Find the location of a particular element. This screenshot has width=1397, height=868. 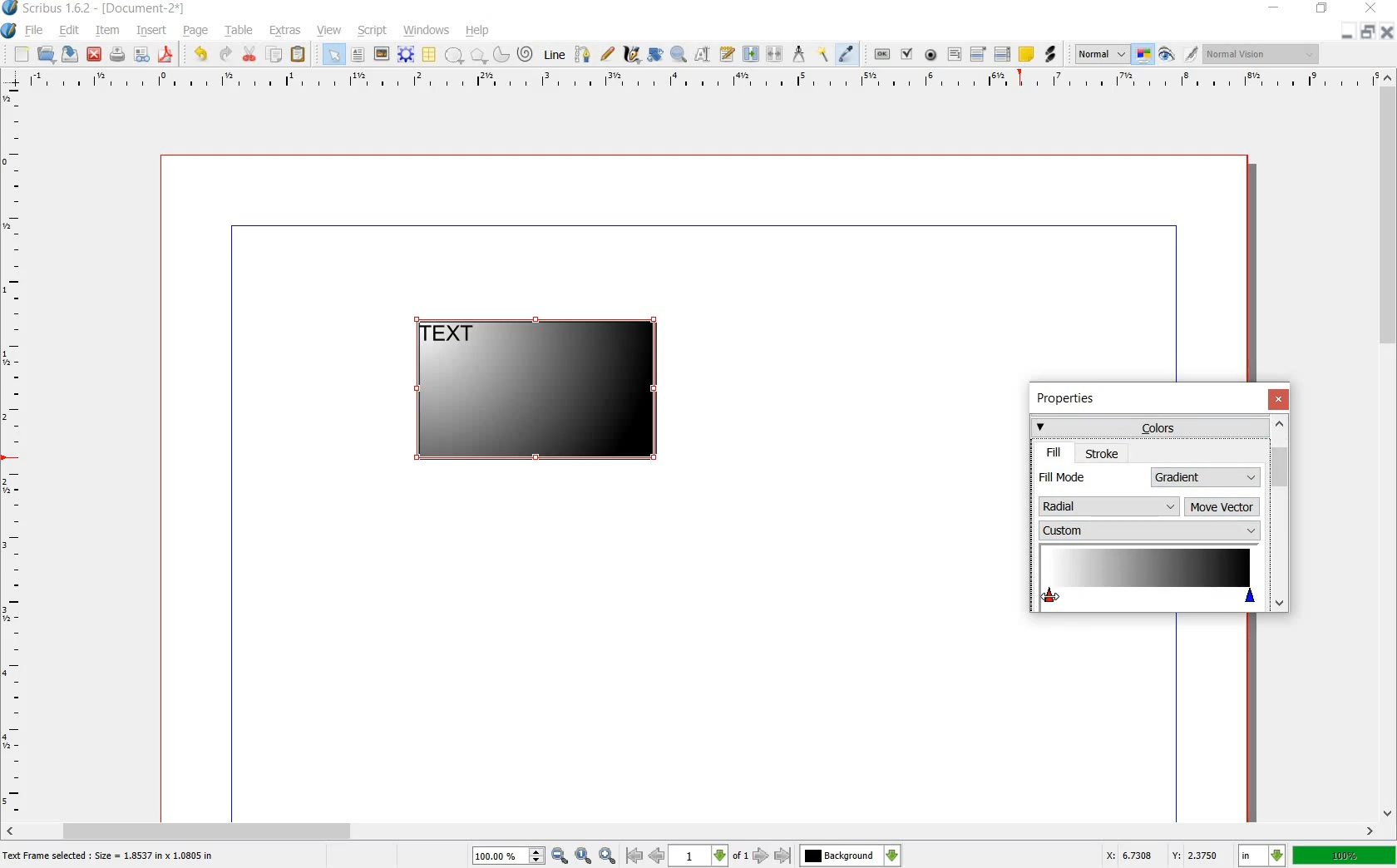

restore is located at coordinates (1322, 11).